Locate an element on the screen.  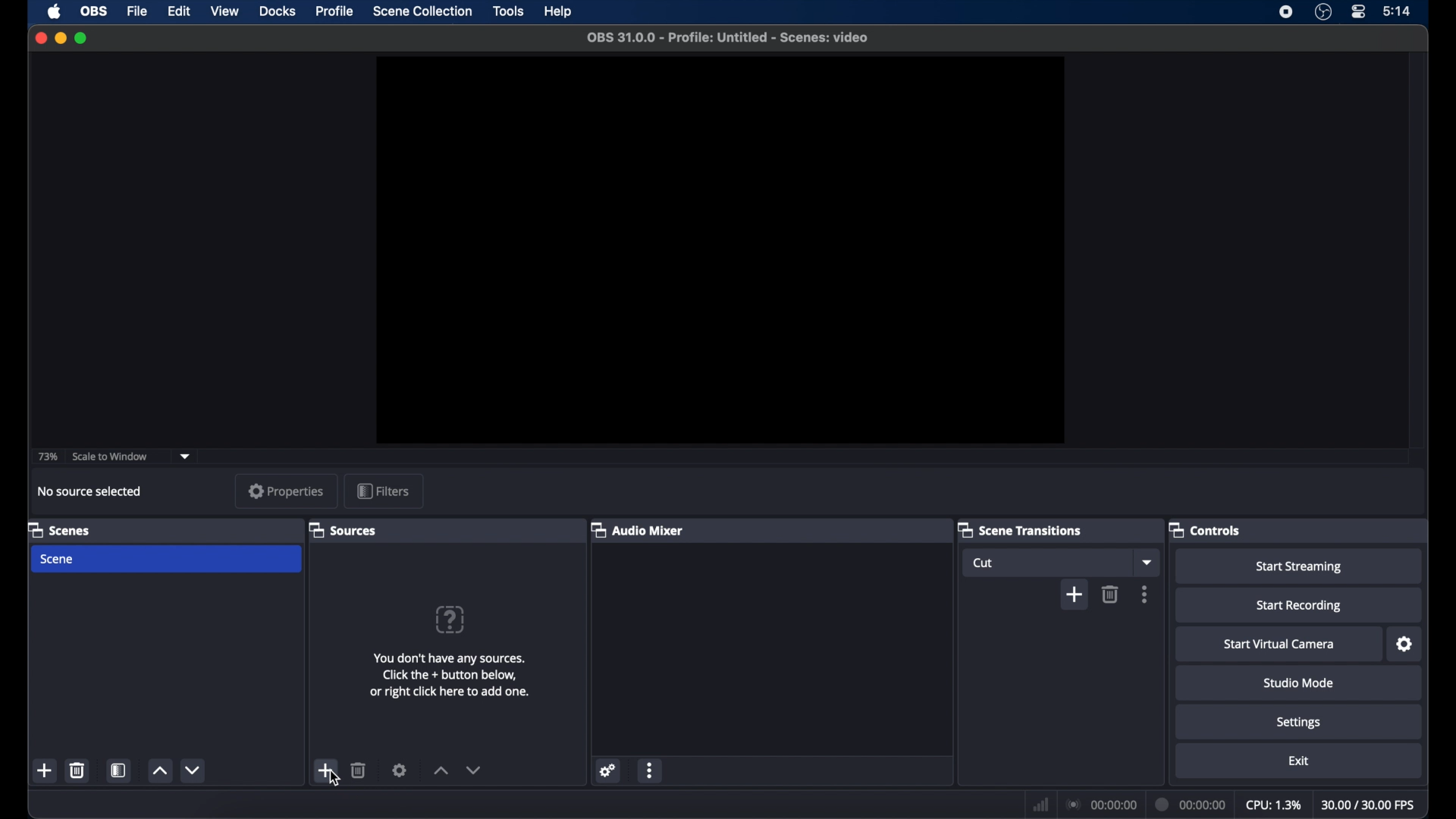
scenes is located at coordinates (58, 529).